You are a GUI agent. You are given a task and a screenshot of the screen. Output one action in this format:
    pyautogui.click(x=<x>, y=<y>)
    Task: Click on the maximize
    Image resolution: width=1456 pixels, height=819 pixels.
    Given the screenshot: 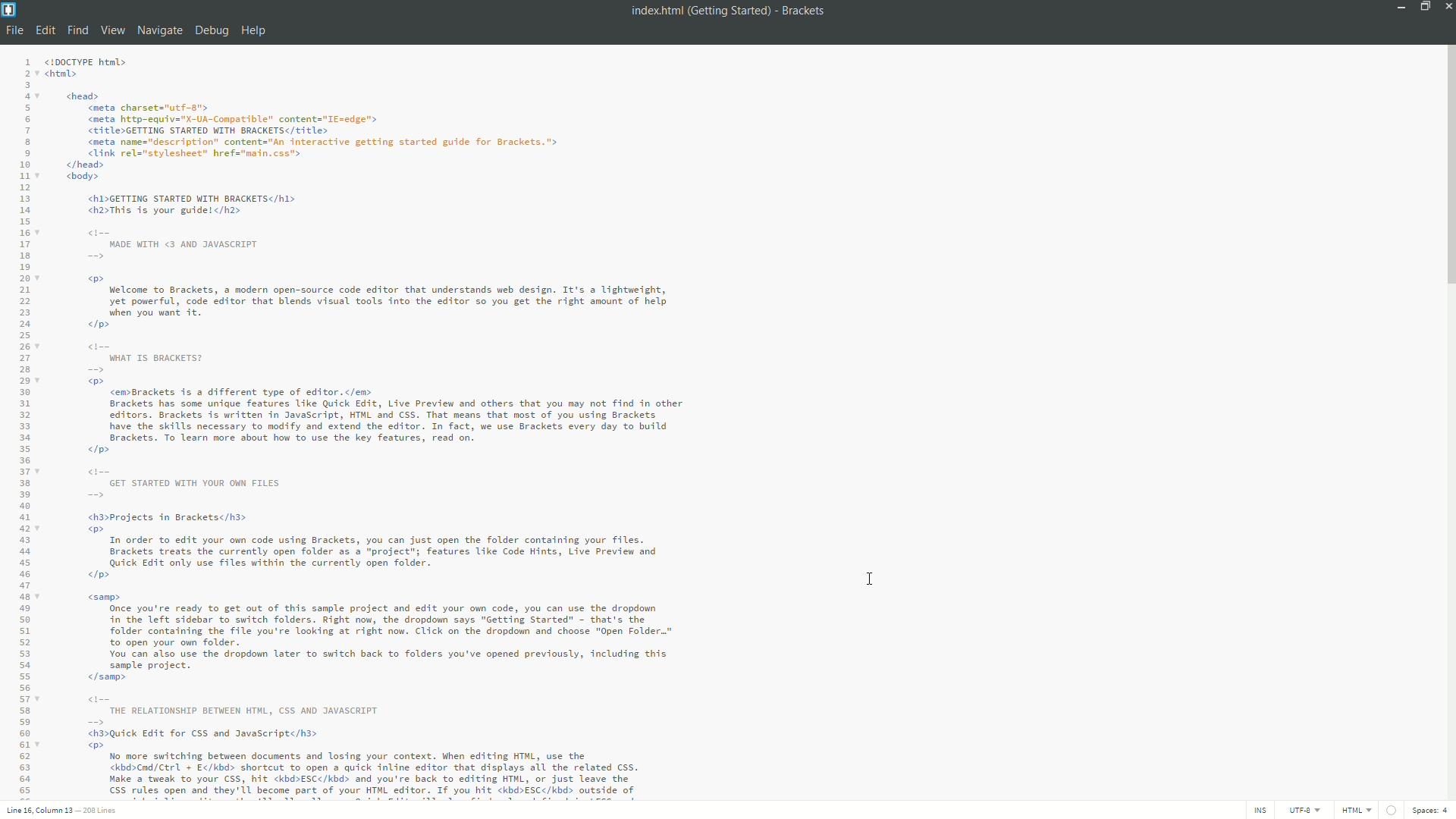 What is the action you would take?
    pyautogui.click(x=1422, y=6)
    